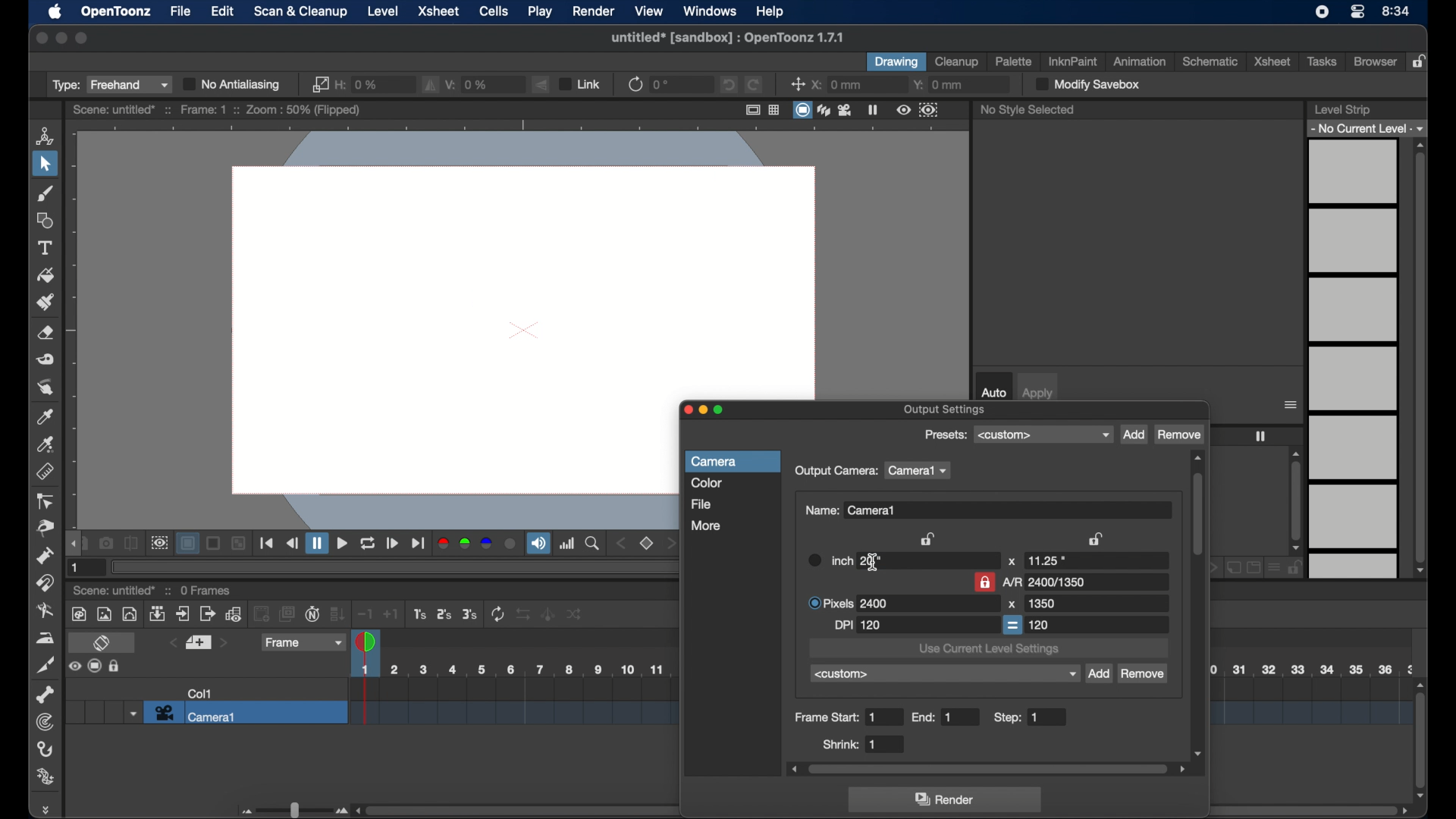  What do you see at coordinates (663, 84) in the screenshot?
I see `0` at bounding box center [663, 84].